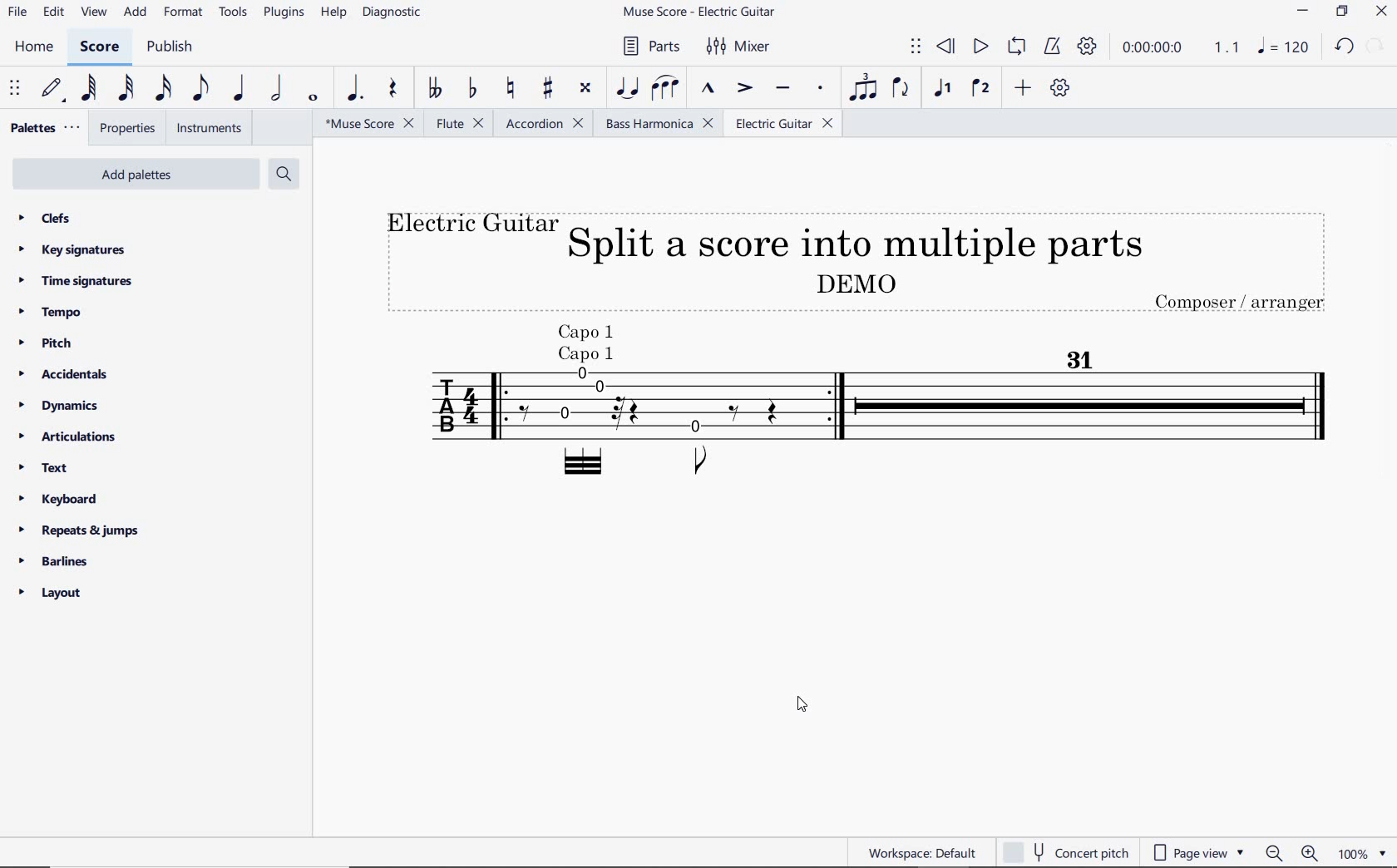 This screenshot has width=1397, height=868. What do you see at coordinates (979, 86) in the screenshot?
I see `voice 2` at bounding box center [979, 86].